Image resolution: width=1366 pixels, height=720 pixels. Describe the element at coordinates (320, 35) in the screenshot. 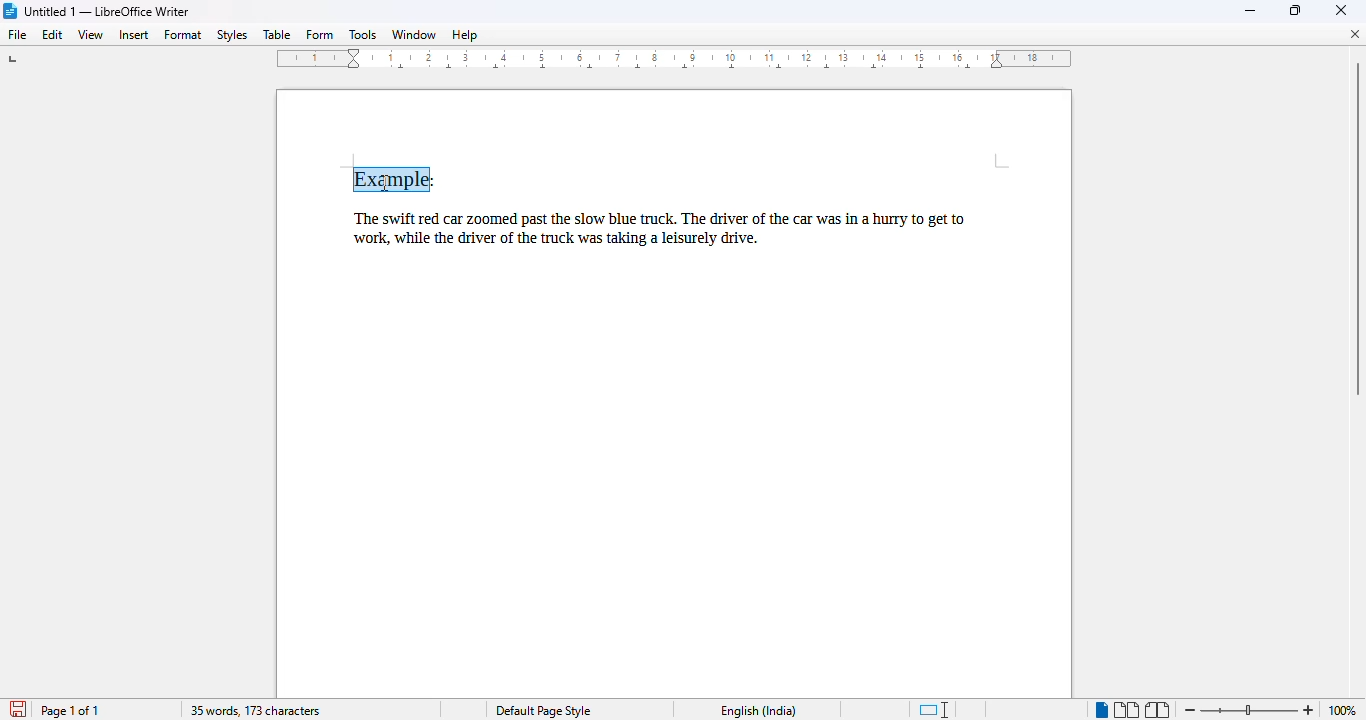

I see `form` at that location.